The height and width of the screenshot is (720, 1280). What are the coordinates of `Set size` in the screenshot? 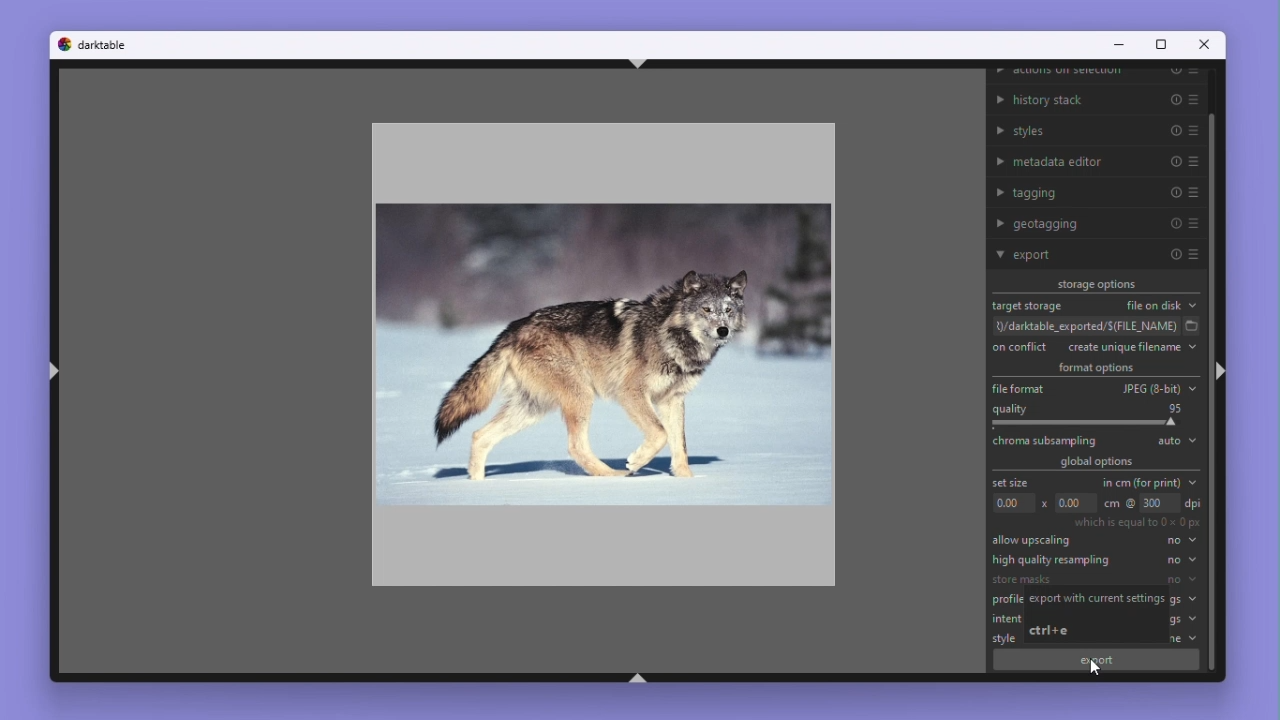 It's located at (1015, 483).